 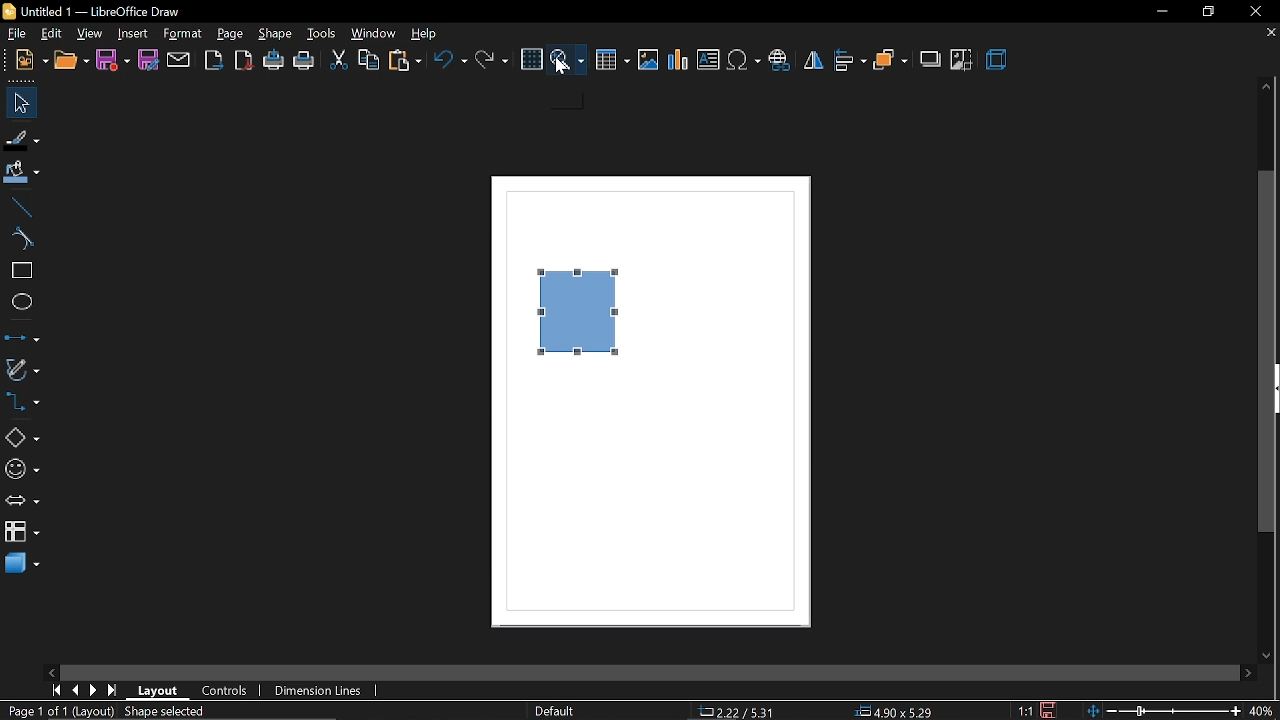 I want to click on arrange, so click(x=890, y=61).